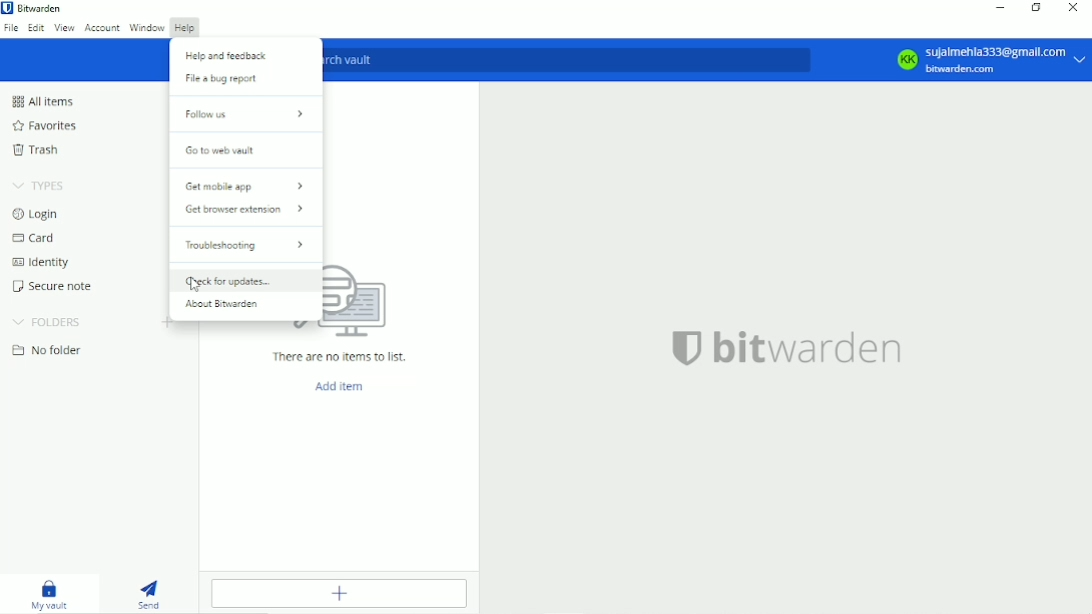 This screenshot has height=614, width=1092. Describe the element at coordinates (37, 150) in the screenshot. I see `Trash` at that location.